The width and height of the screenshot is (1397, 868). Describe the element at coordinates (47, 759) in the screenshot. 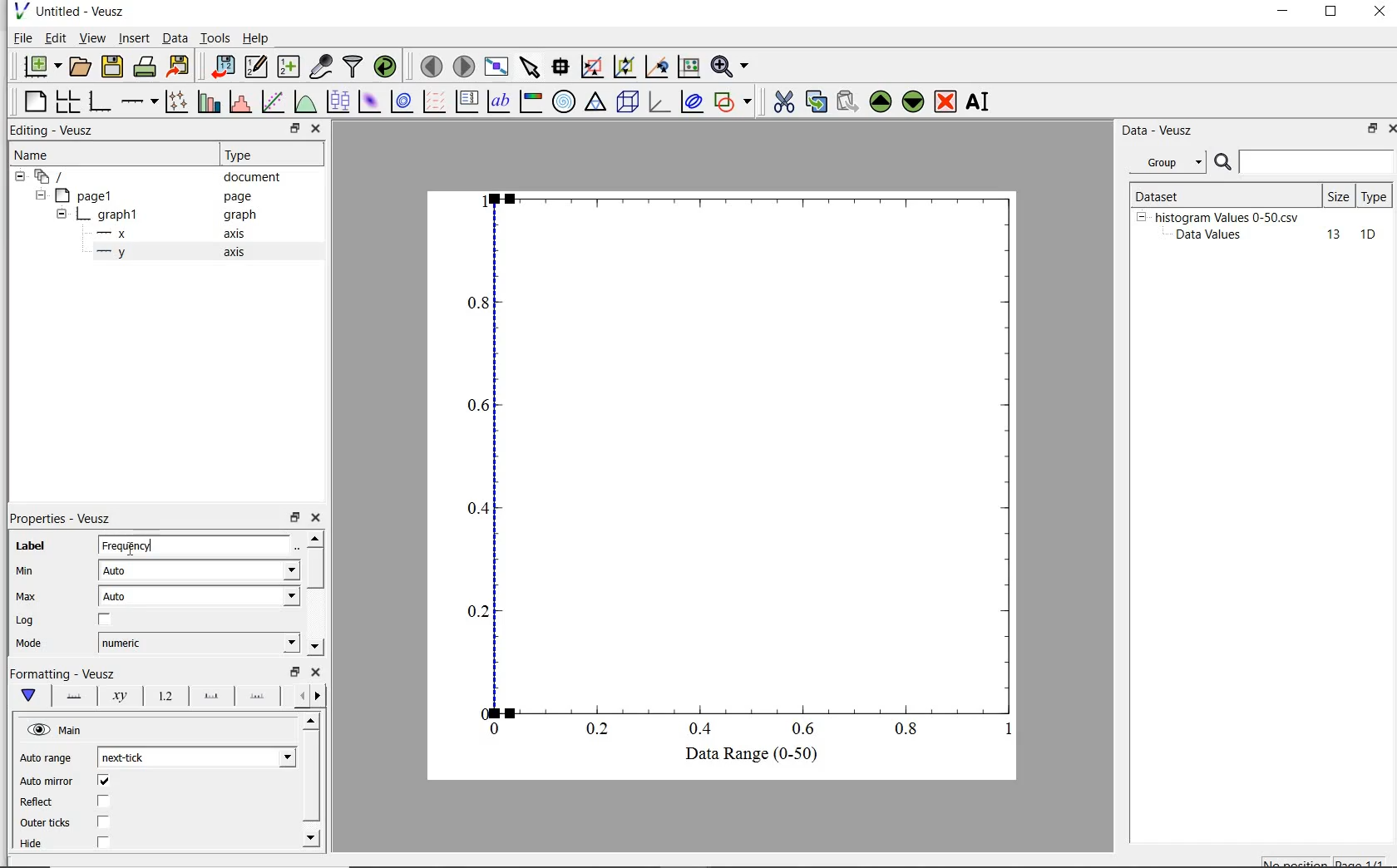

I see ` Auto range` at that location.